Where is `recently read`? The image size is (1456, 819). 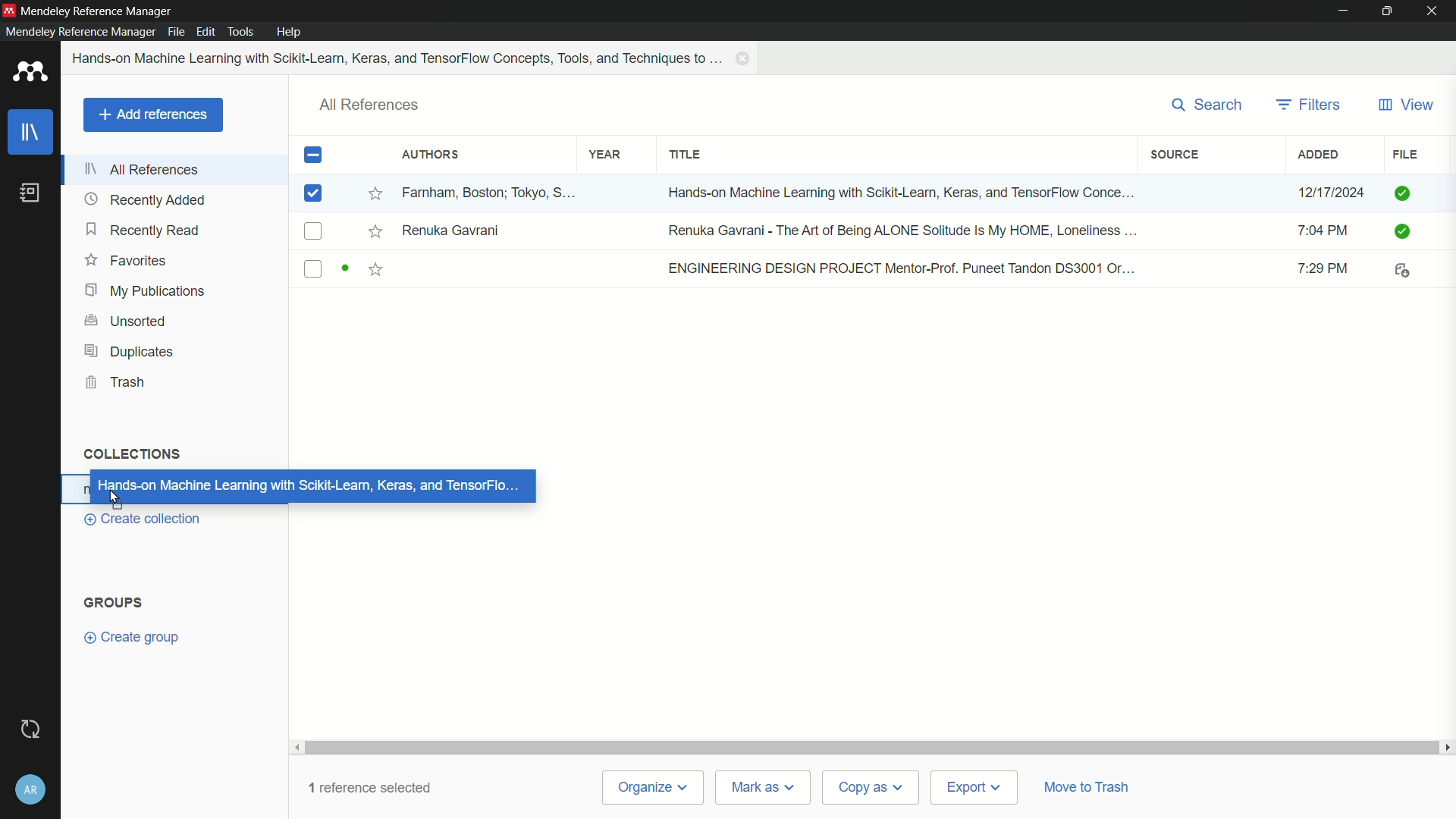
recently read is located at coordinates (145, 229).